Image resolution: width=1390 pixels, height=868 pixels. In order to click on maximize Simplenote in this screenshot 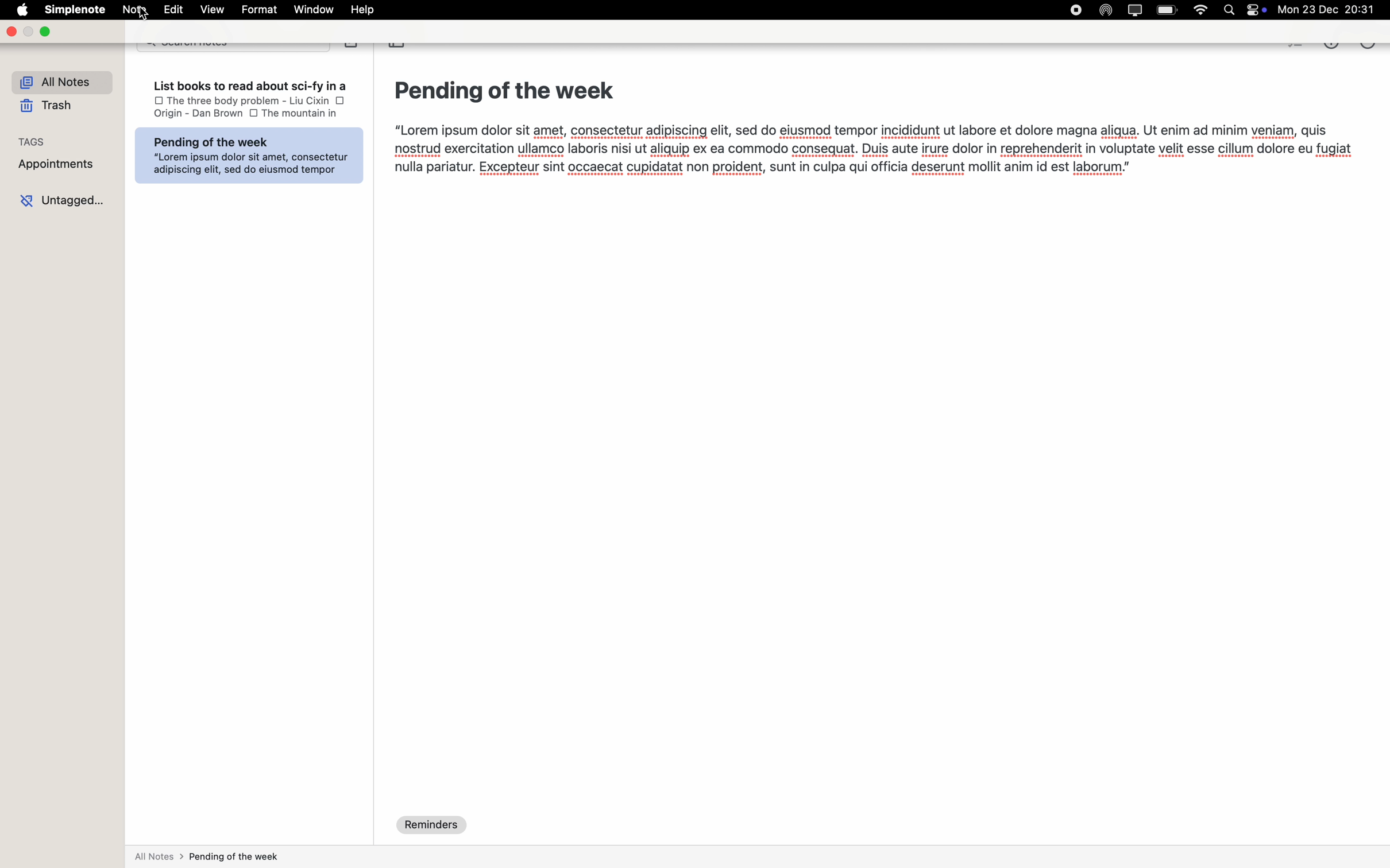, I will do `click(44, 31)`.